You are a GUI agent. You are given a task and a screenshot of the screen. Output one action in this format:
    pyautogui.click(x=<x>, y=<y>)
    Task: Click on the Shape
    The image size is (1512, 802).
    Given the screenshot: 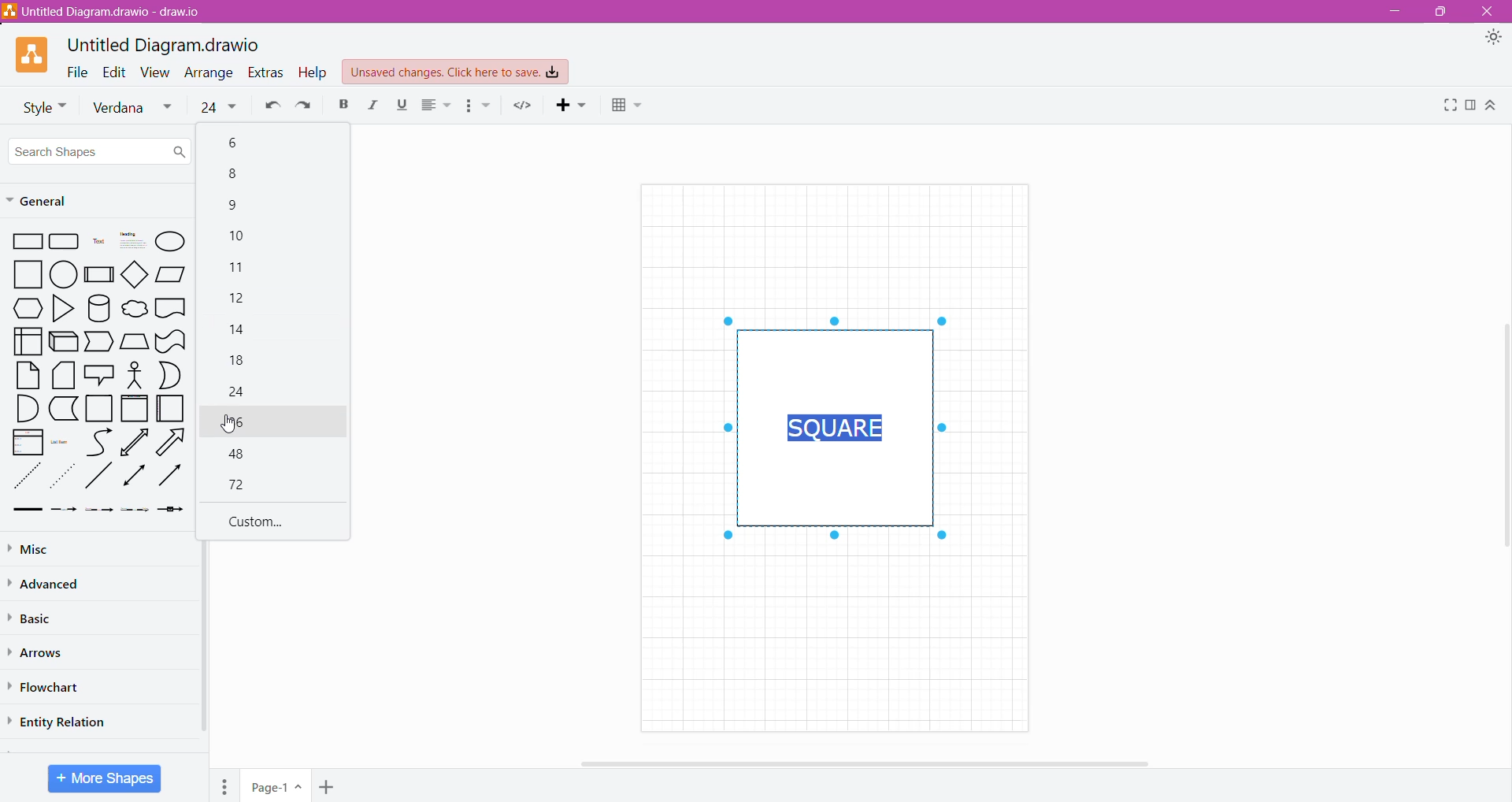 What is the action you would take?
    pyautogui.click(x=832, y=429)
    